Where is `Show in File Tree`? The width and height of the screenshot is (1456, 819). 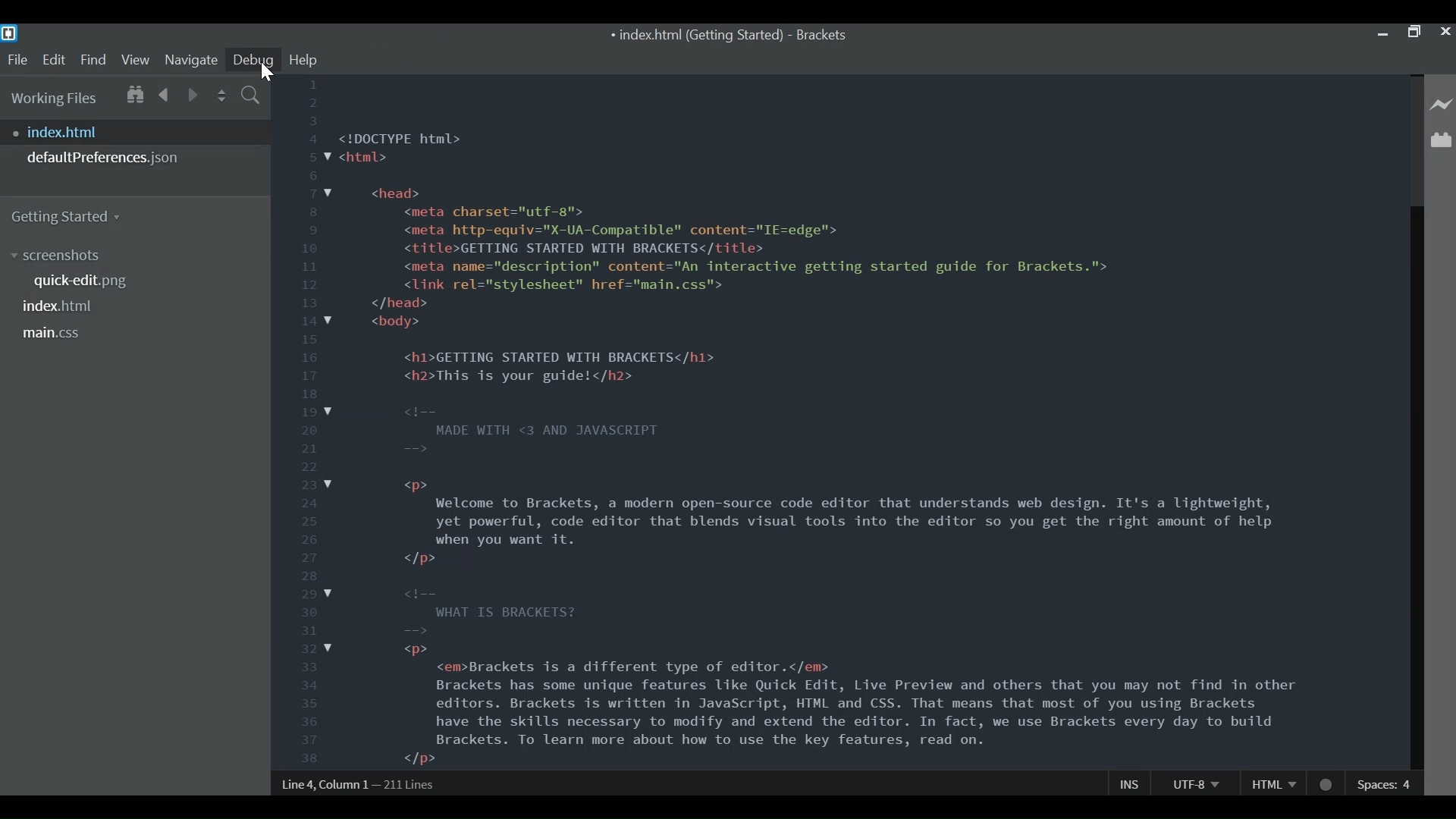 Show in File Tree is located at coordinates (133, 93).